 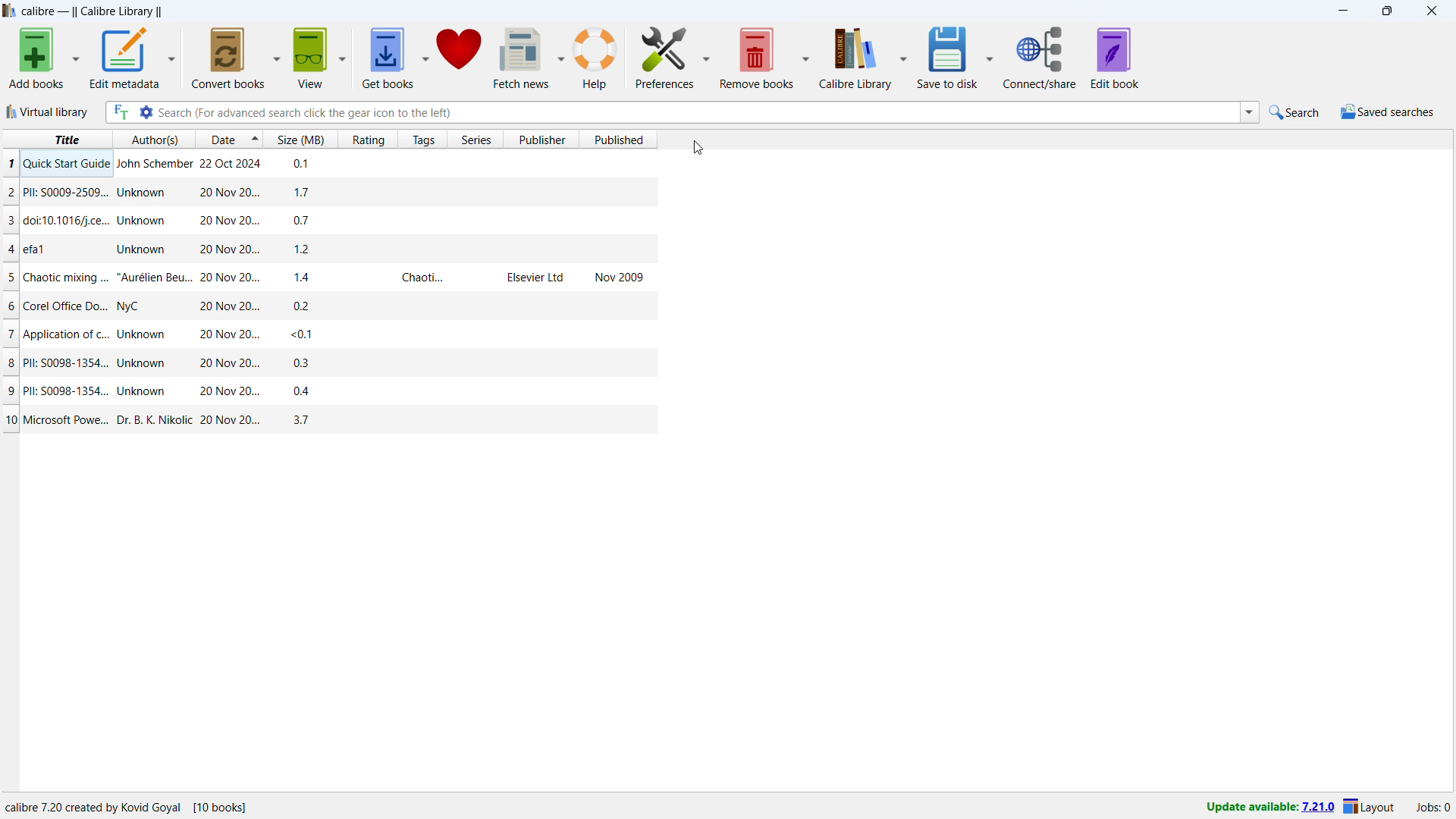 What do you see at coordinates (333, 300) in the screenshot?
I see `6 Corel Office Do... NyC 20 Nov 20... 02` at bounding box center [333, 300].